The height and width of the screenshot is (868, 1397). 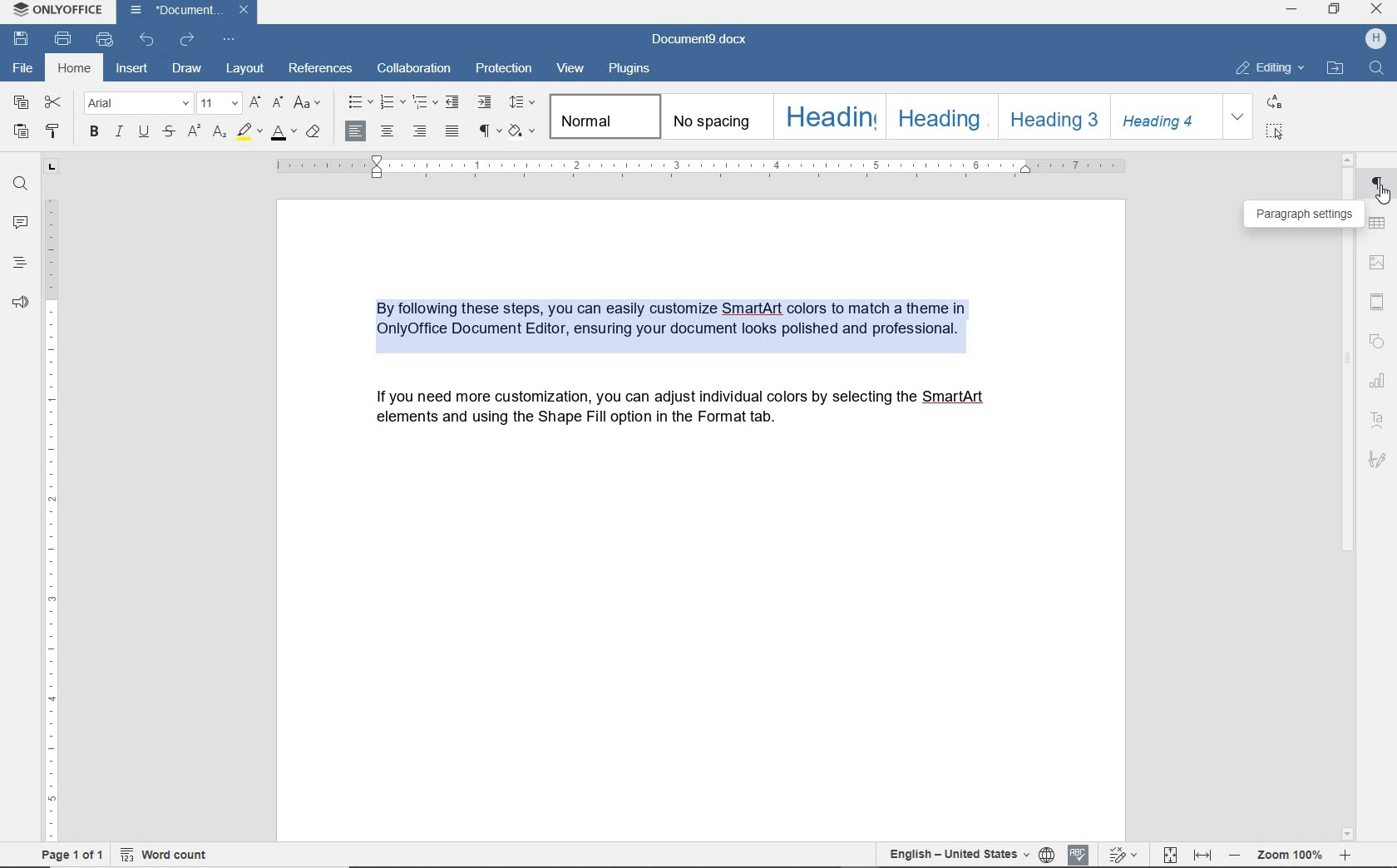 I want to click on increase indent, so click(x=485, y=101).